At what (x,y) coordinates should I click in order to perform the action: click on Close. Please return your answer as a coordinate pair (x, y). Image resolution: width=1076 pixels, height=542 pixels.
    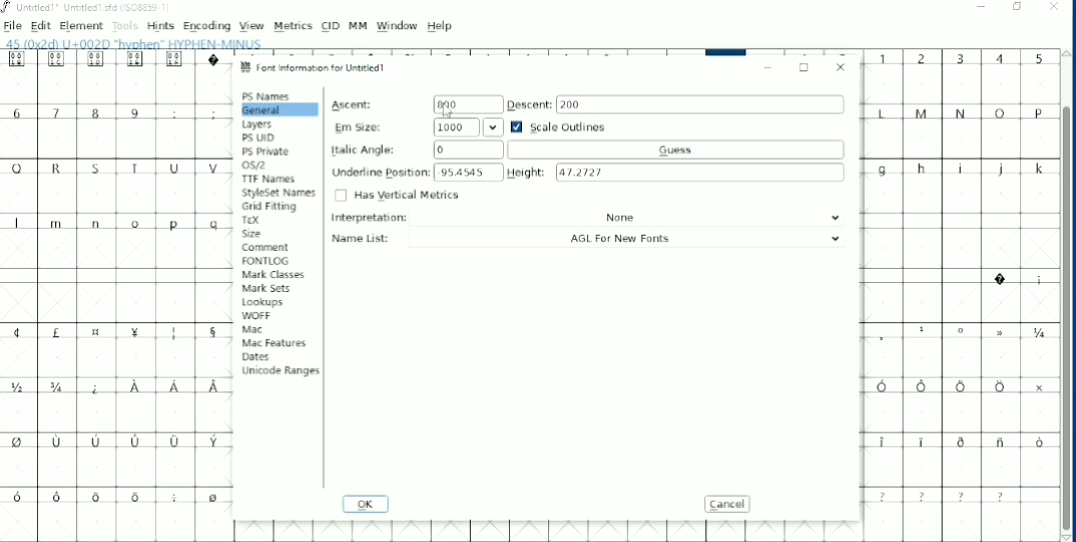
    Looking at the image, I should click on (841, 65).